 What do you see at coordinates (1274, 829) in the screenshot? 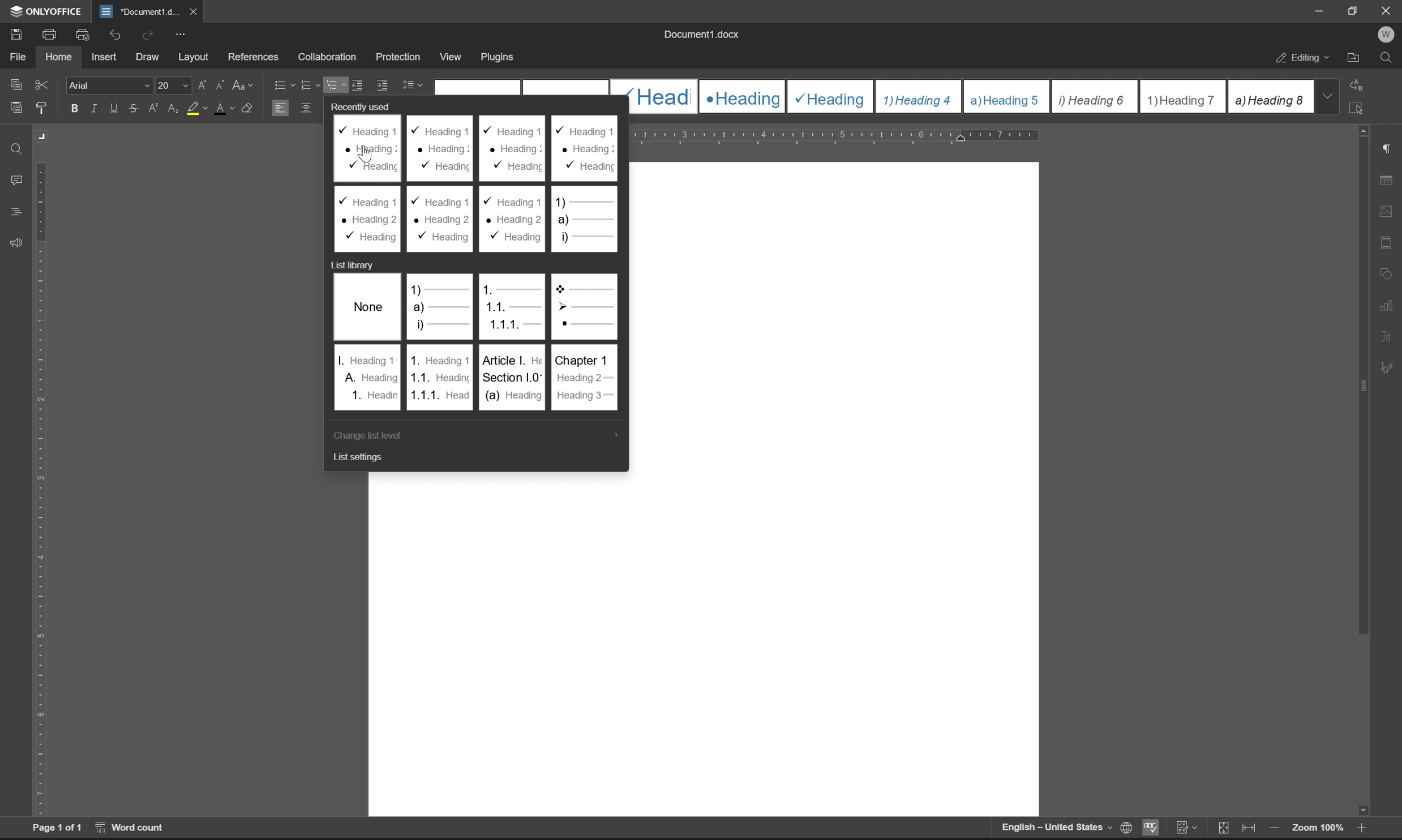
I see `zoom out` at bounding box center [1274, 829].